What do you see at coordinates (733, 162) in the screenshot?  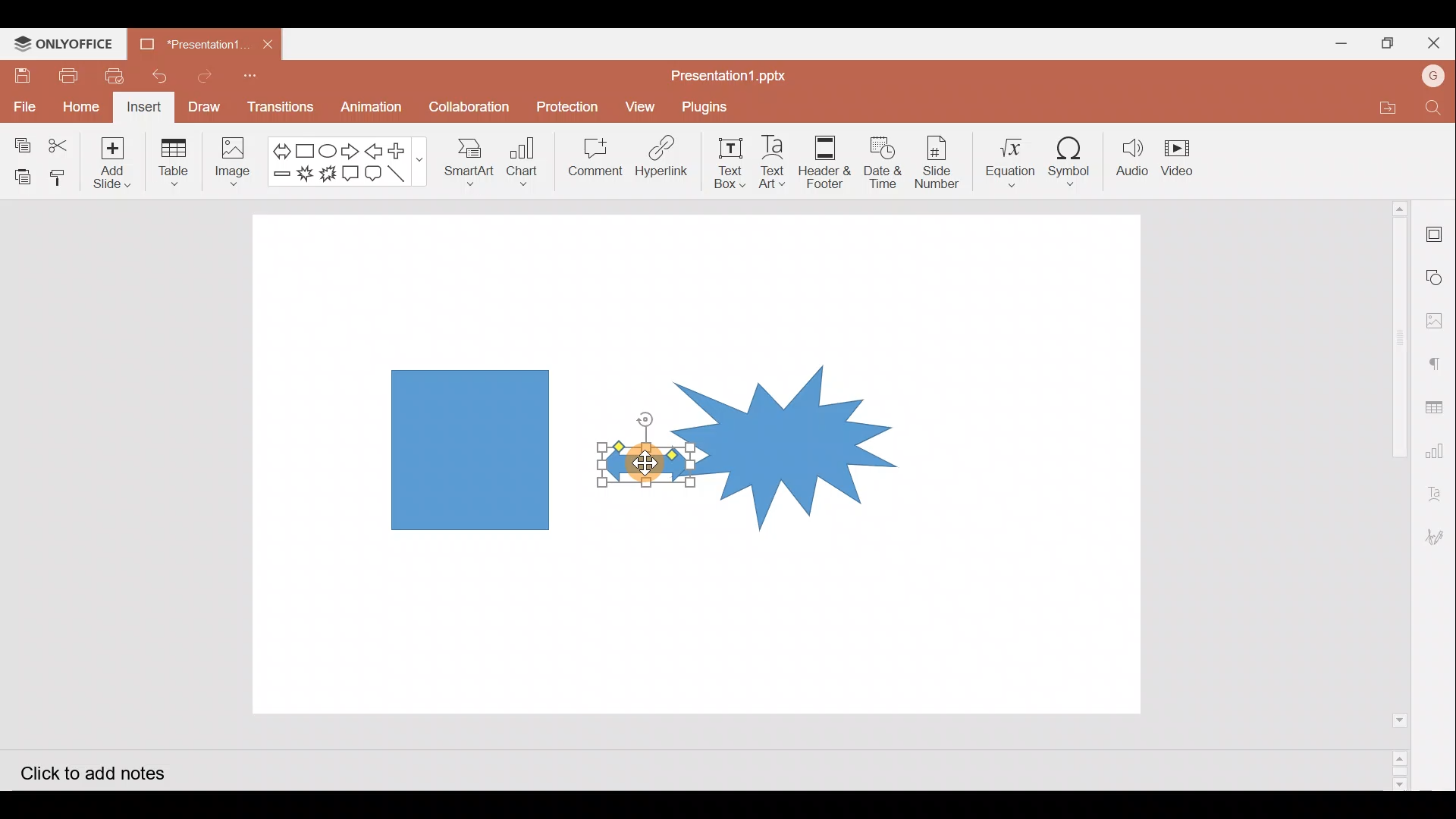 I see `Text box` at bounding box center [733, 162].